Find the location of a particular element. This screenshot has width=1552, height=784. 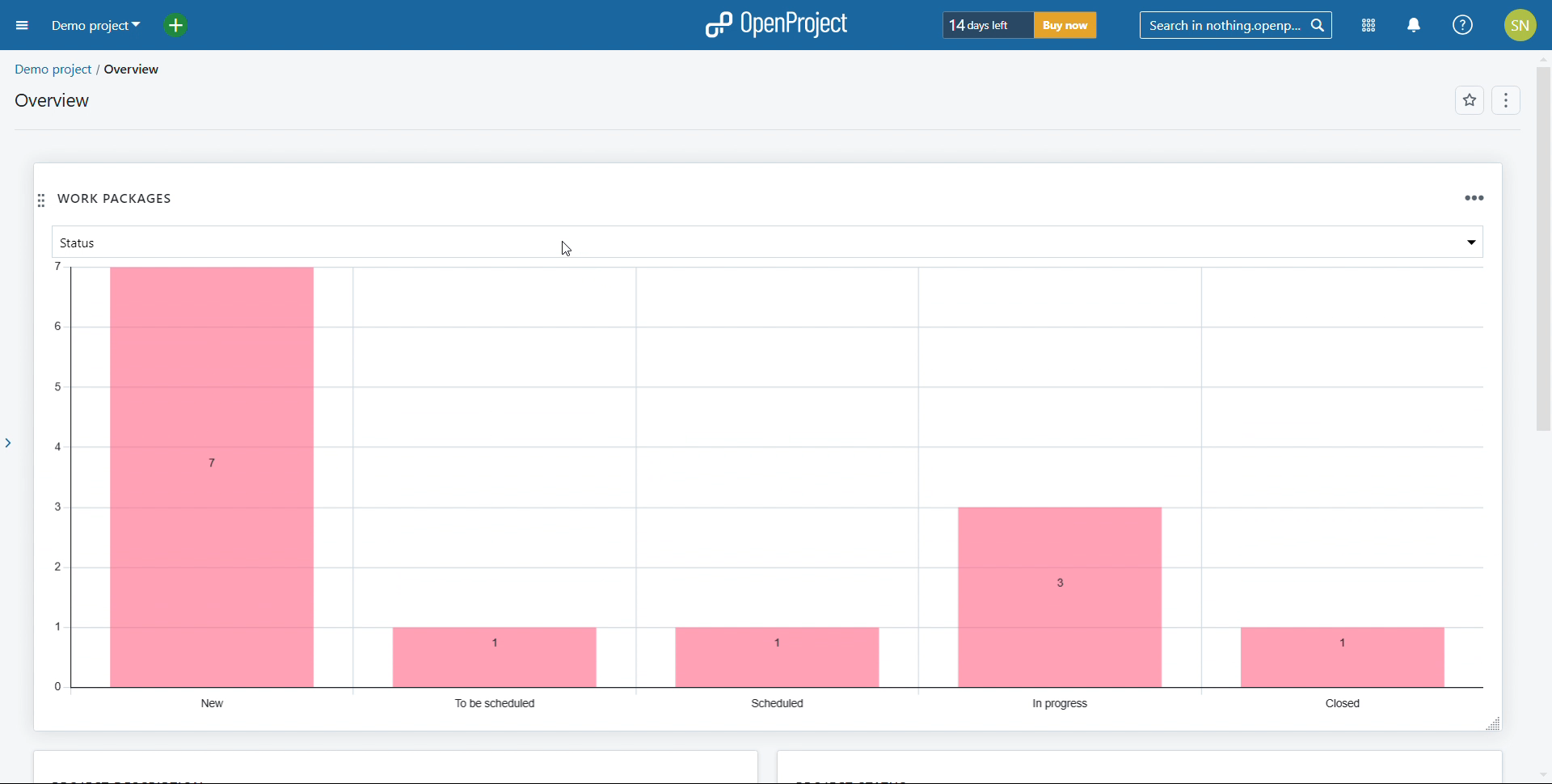

nottifications is located at coordinates (1415, 27).